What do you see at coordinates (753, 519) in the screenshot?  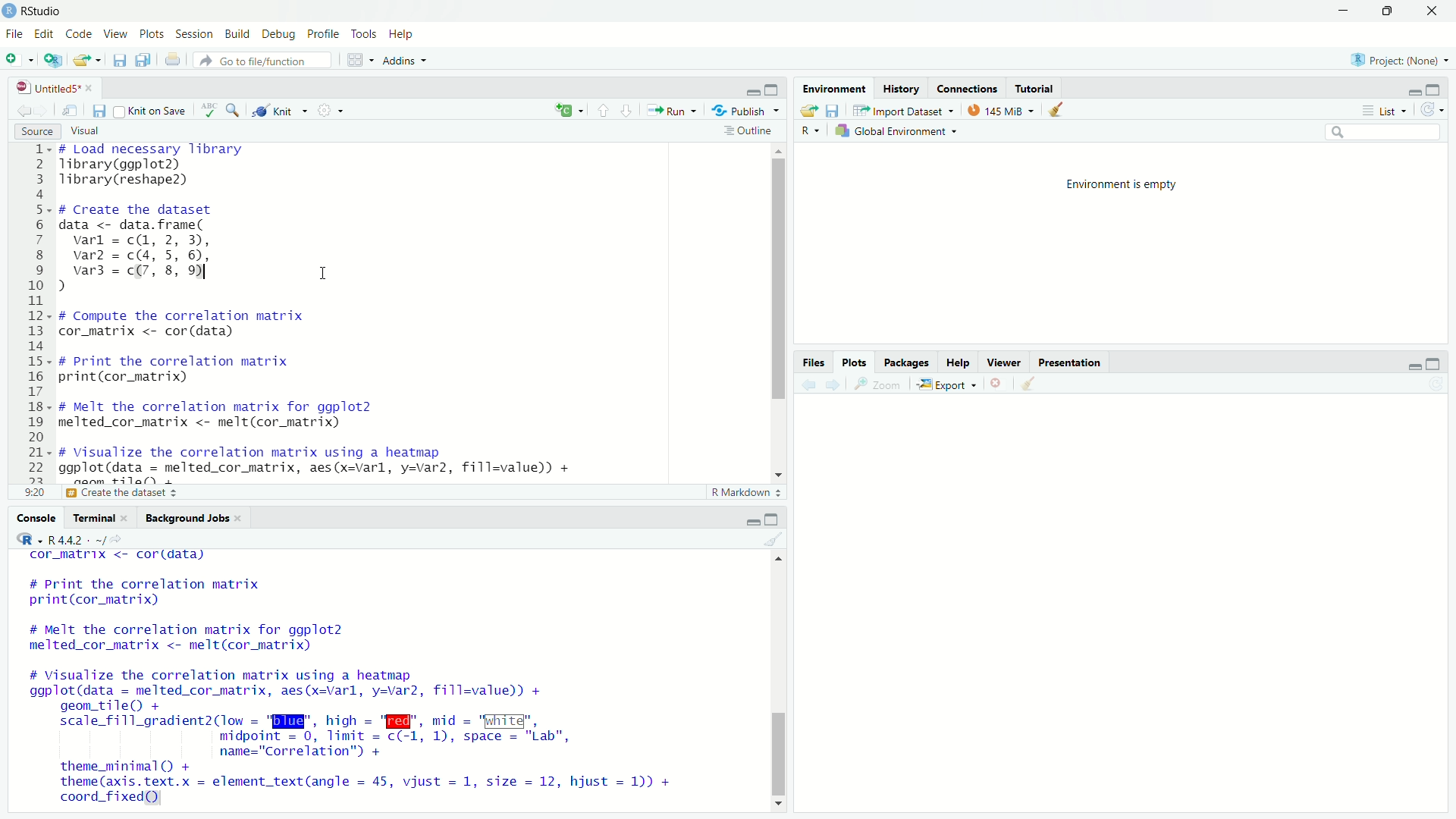 I see `minimize` at bounding box center [753, 519].